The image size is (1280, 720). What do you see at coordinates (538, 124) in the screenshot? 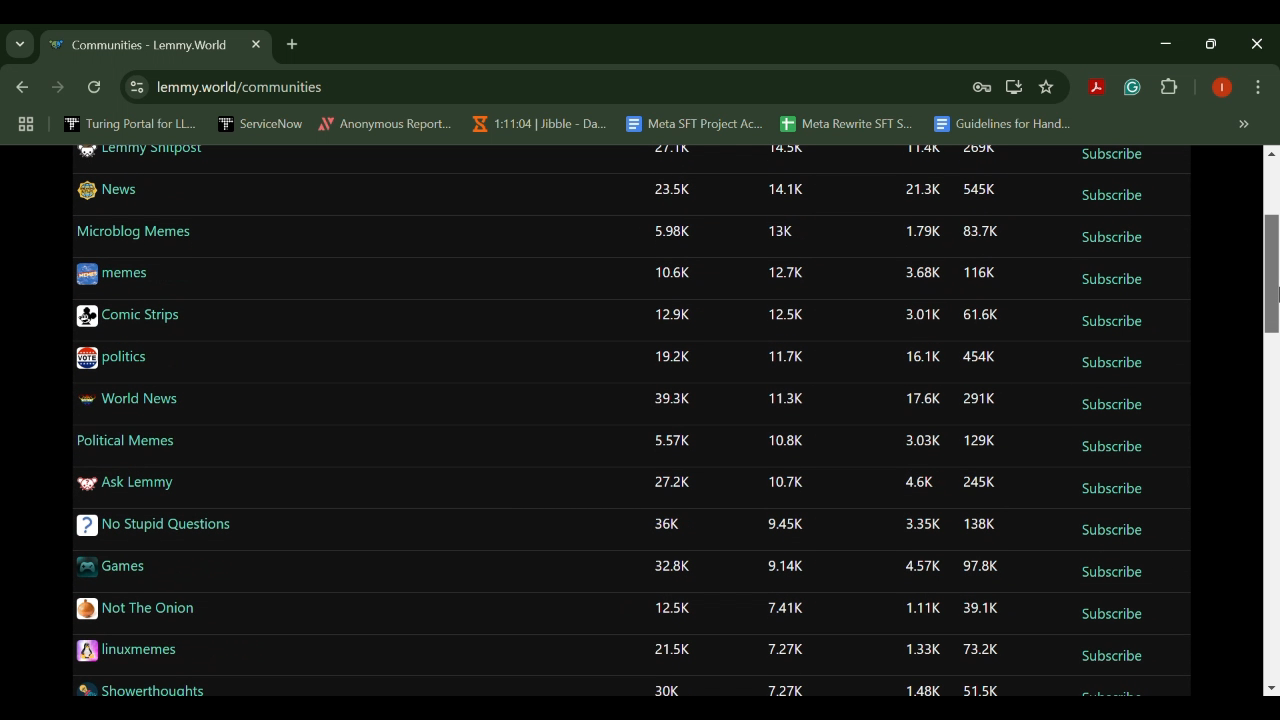
I see `1:11:04 | Jibble - Da...` at bounding box center [538, 124].